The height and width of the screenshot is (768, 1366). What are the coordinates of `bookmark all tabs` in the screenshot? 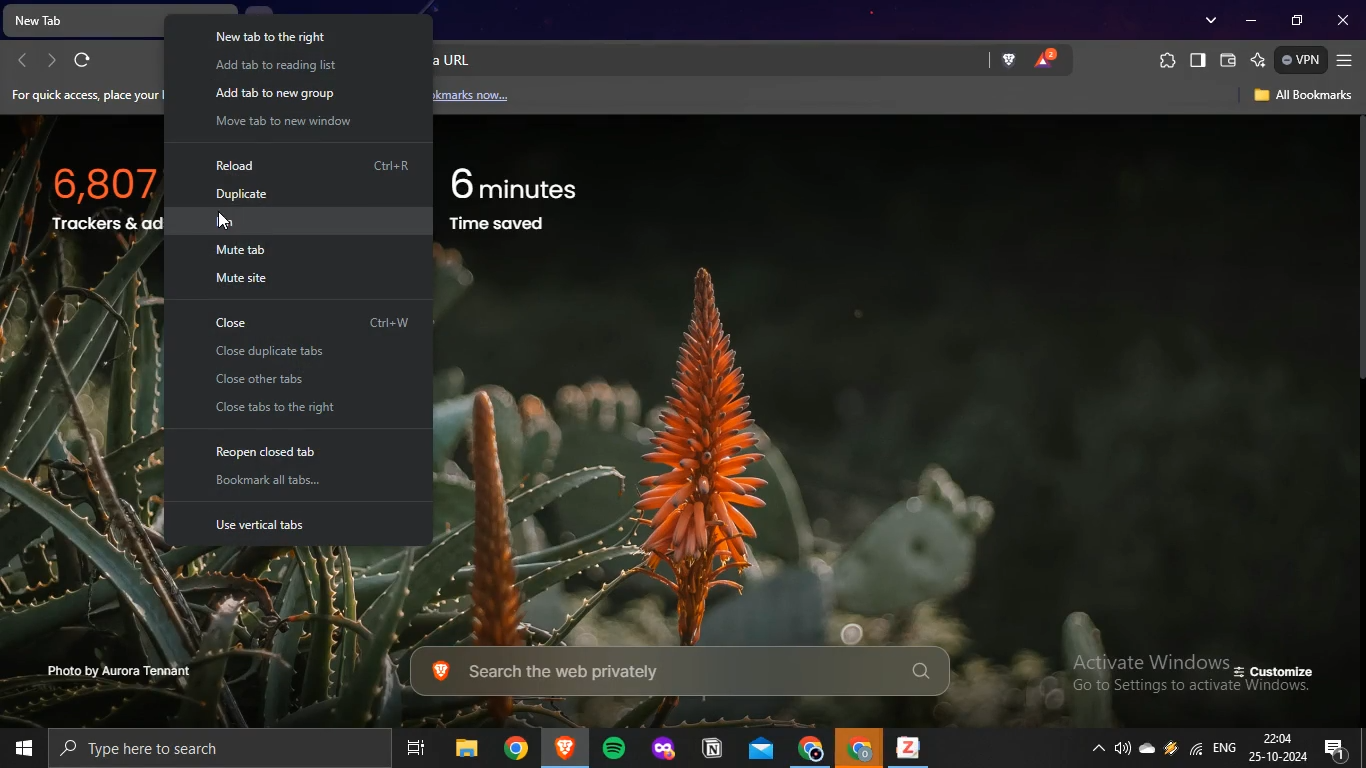 It's located at (269, 481).